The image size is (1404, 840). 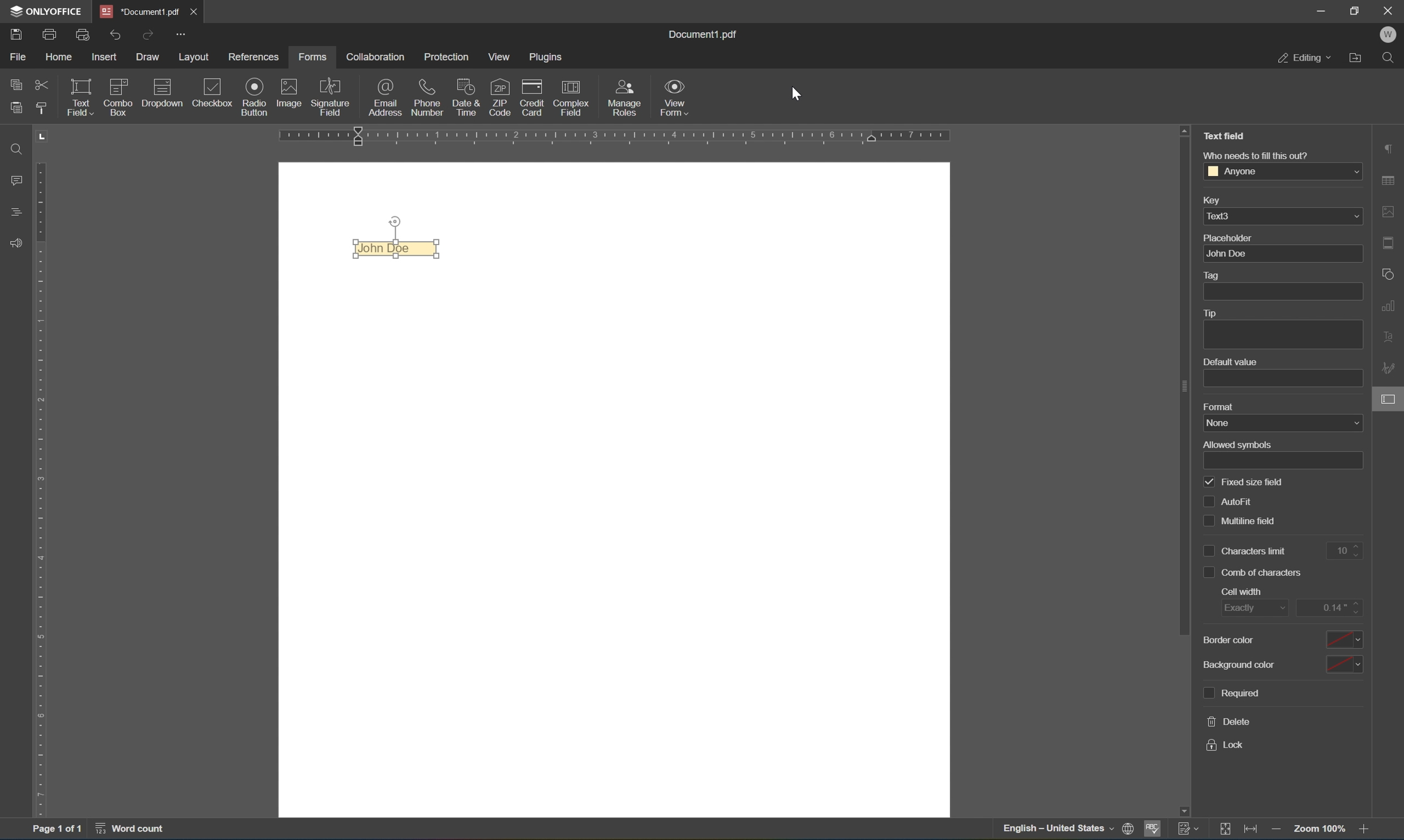 I want to click on zoom 100%, so click(x=1320, y=829).